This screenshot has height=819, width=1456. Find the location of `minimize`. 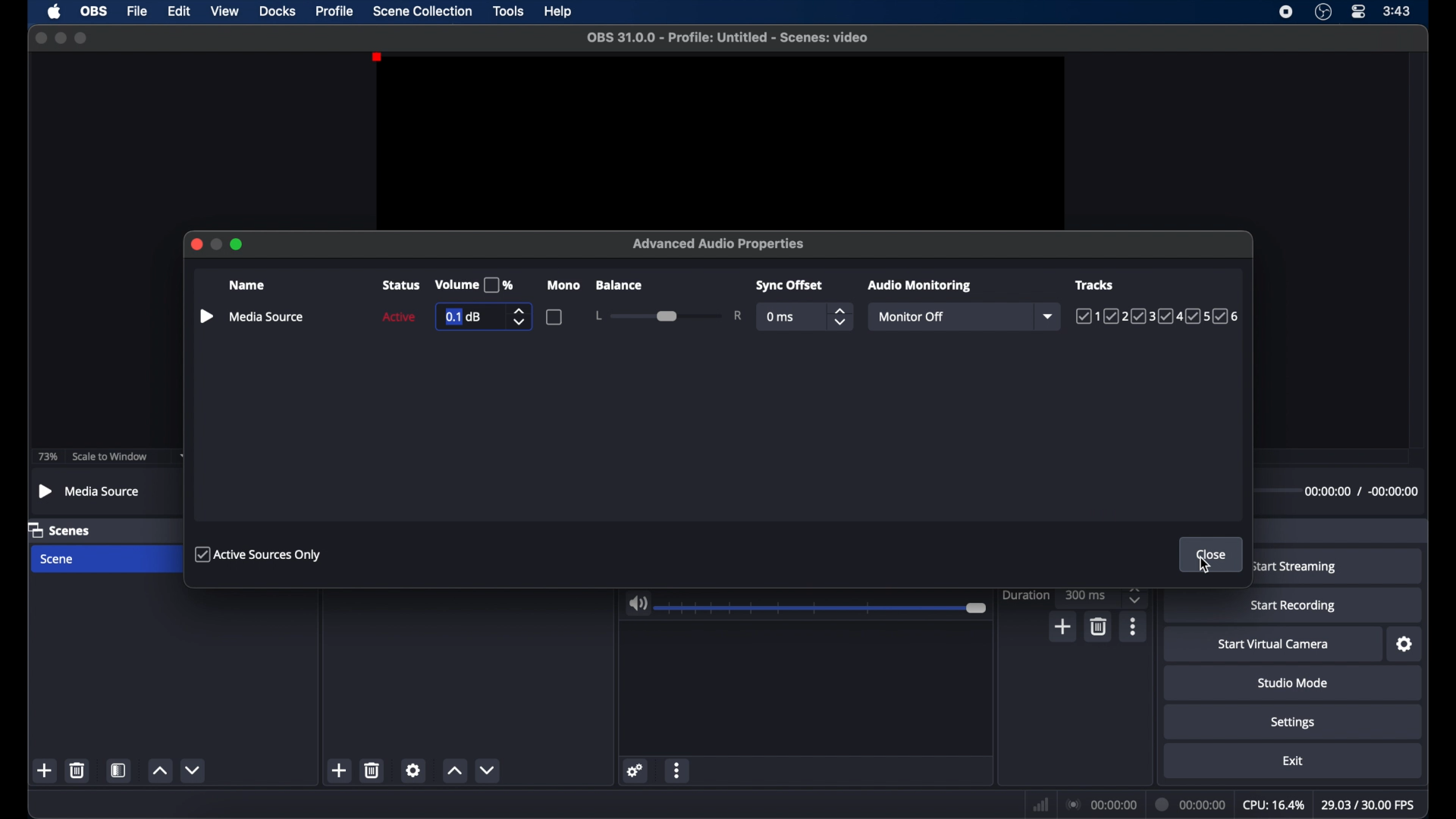

minimize is located at coordinates (60, 37).